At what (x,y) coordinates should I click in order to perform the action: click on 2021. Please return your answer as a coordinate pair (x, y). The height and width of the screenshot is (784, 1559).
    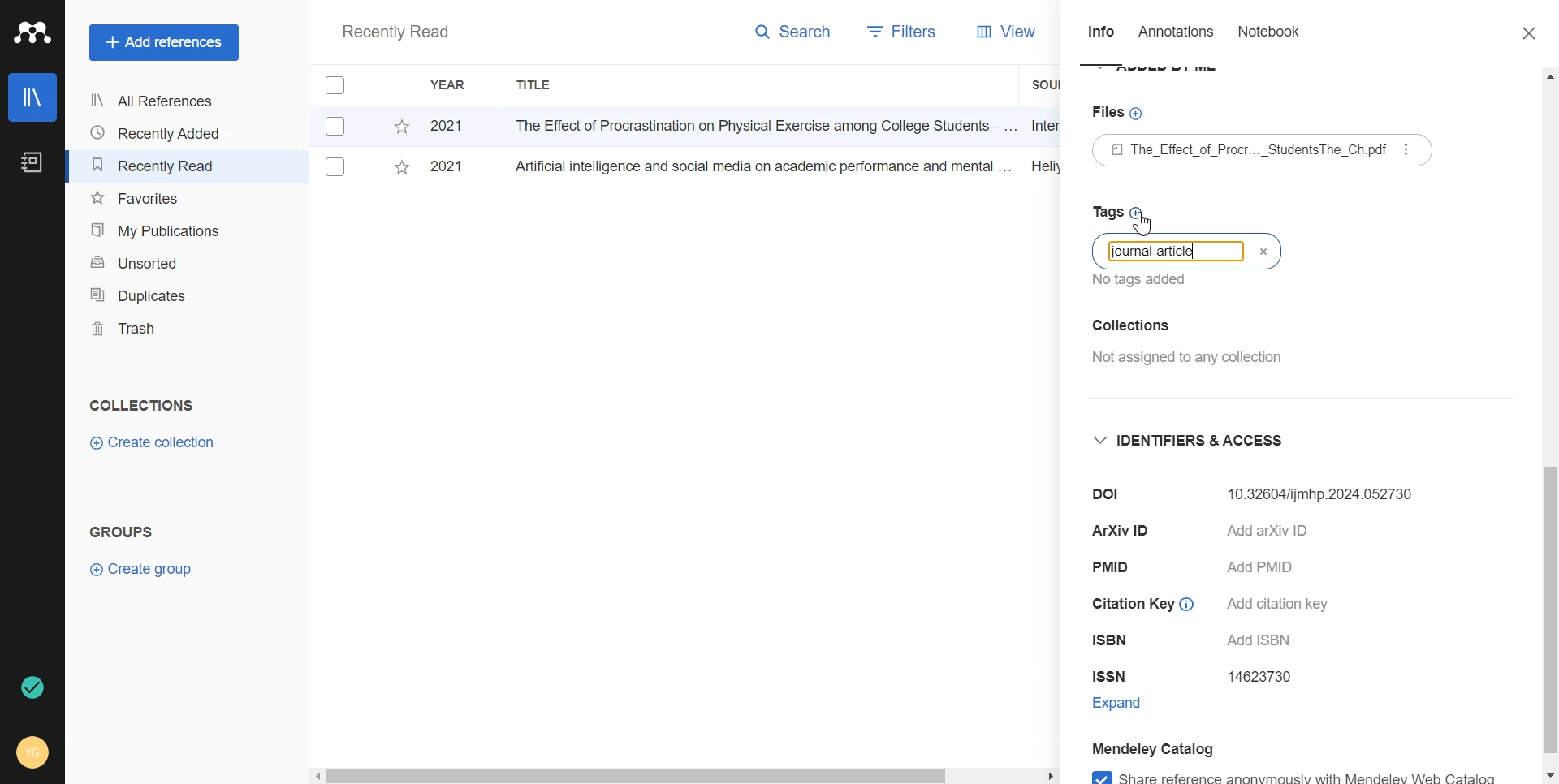
    Looking at the image, I should click on (447, 127).